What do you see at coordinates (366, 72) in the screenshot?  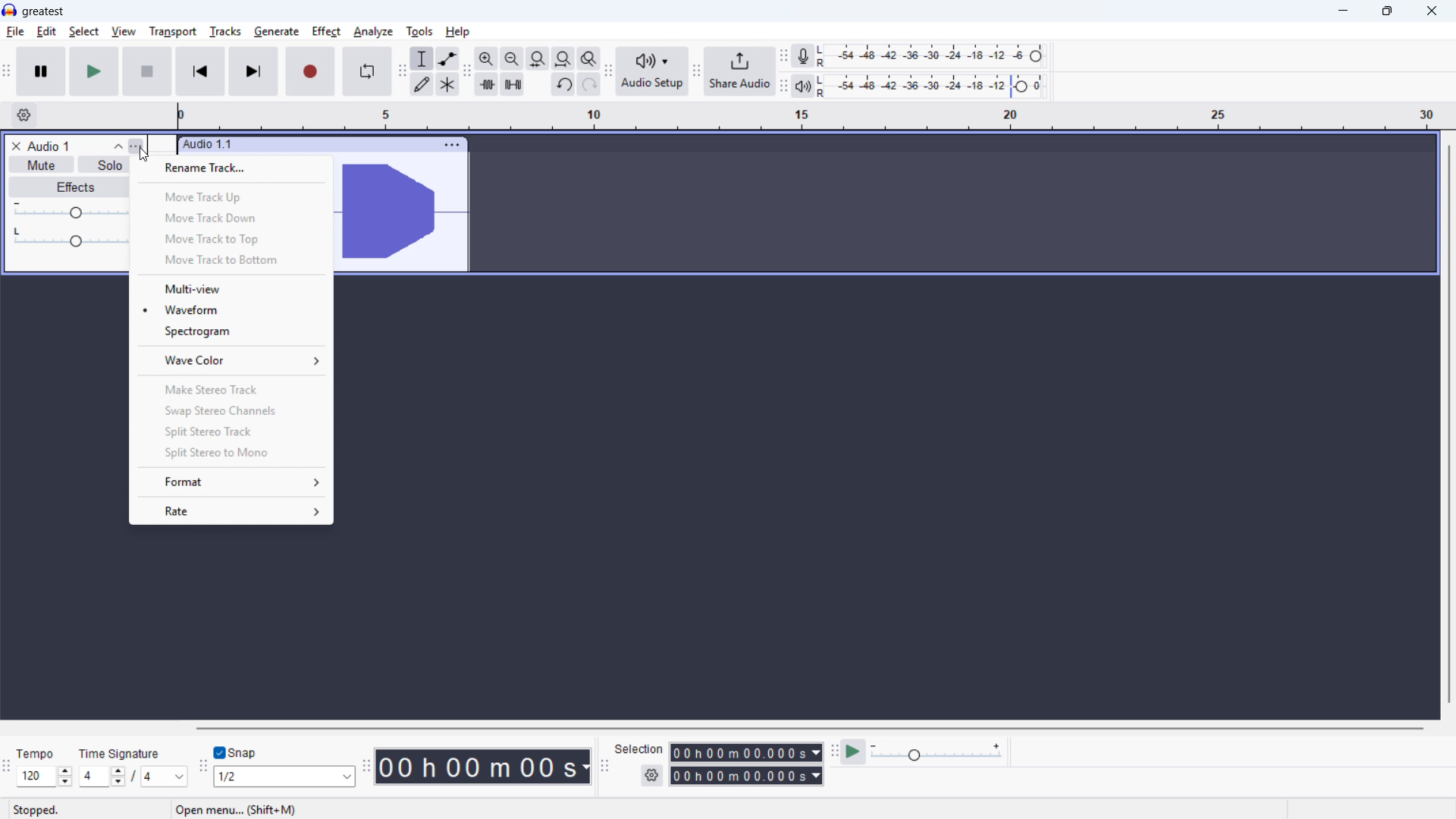 I see `Enable looping ` at bounding box center [366, 72].